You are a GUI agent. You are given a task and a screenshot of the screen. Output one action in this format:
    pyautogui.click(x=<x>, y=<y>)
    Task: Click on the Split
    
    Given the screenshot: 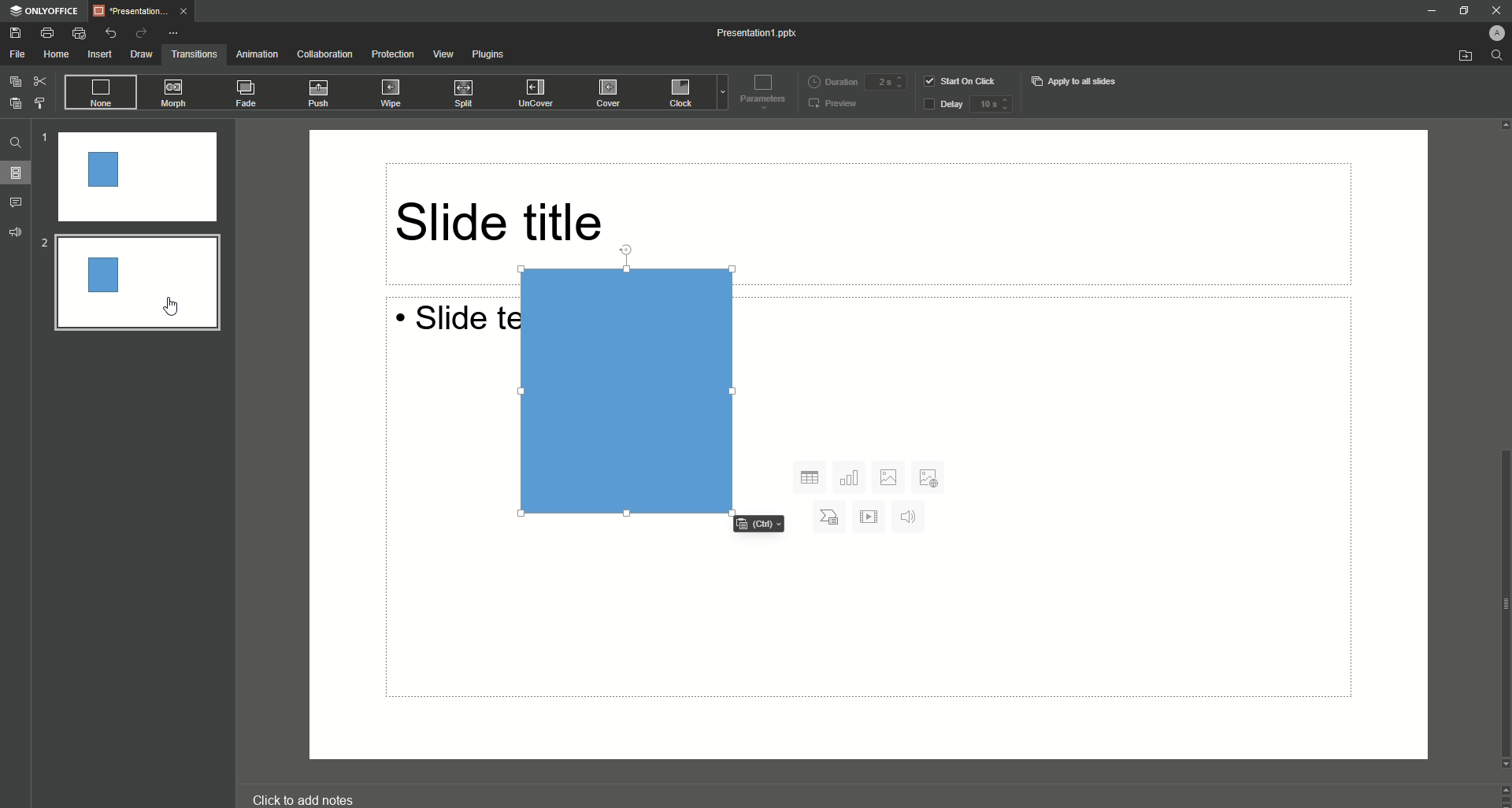 What is the action you would take?
    pyautogui.click(x=468, y=93)
    